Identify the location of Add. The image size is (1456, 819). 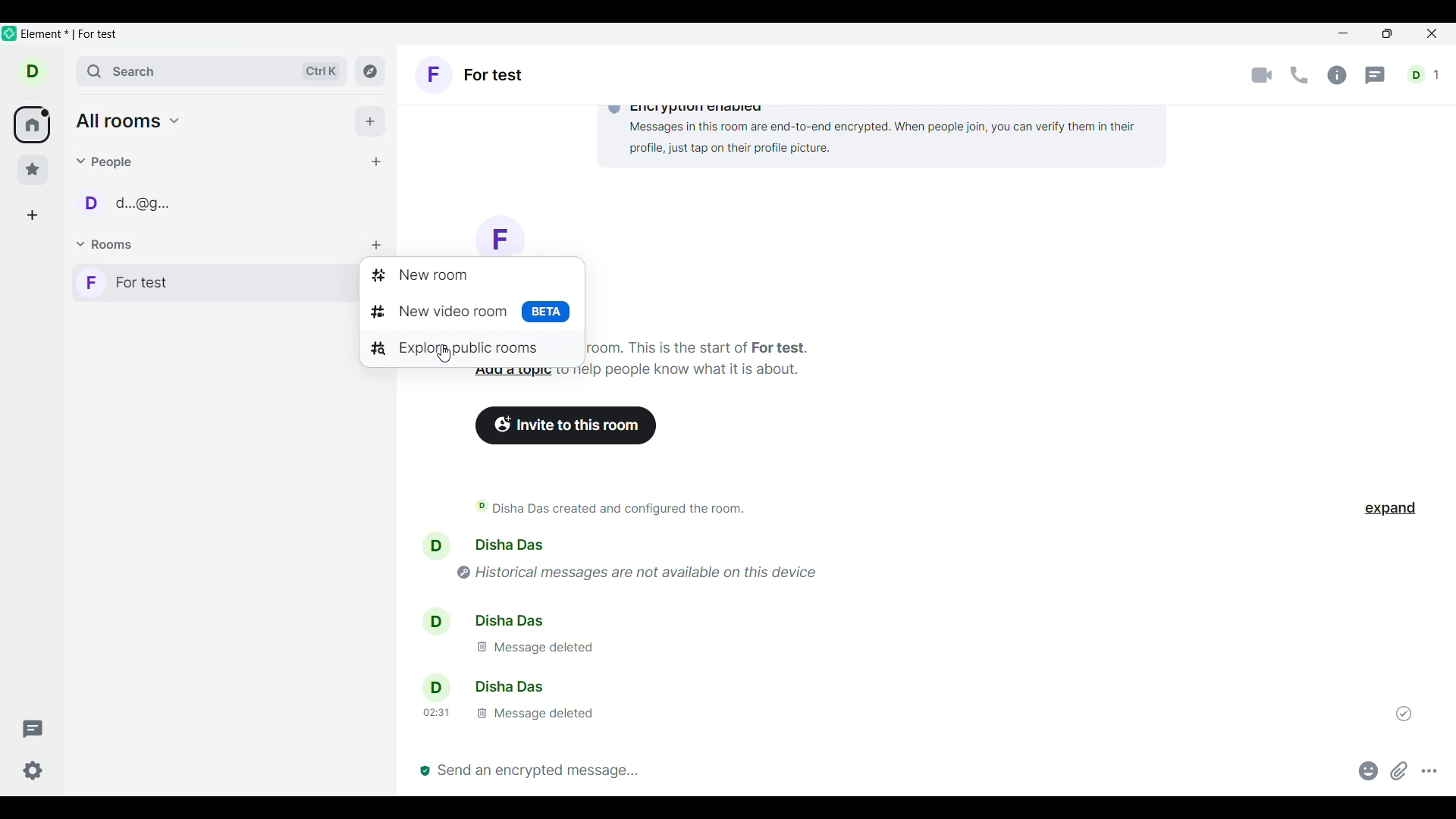
(371, 121).